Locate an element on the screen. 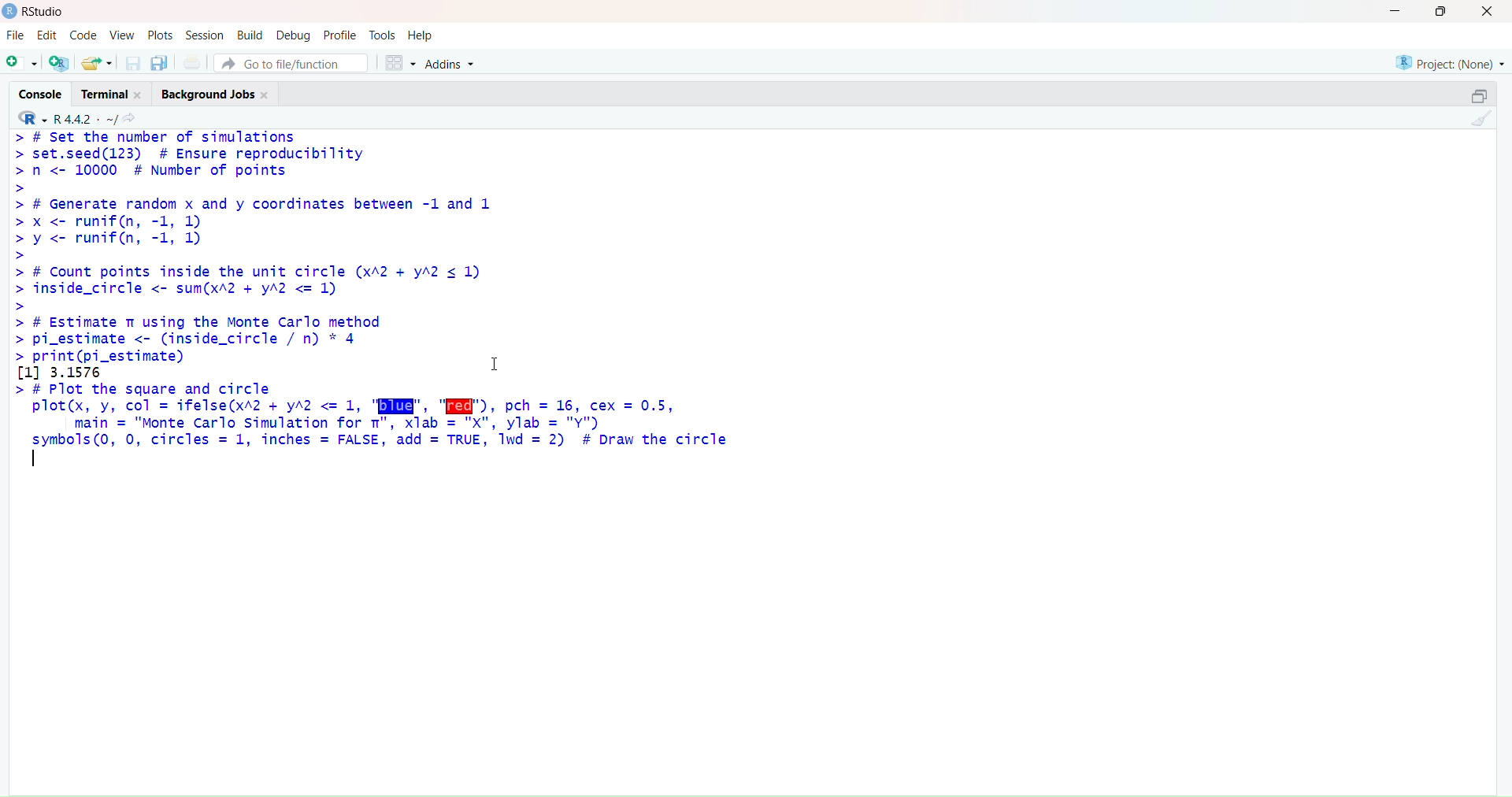  Cursor is located at coordinates (498, 358).